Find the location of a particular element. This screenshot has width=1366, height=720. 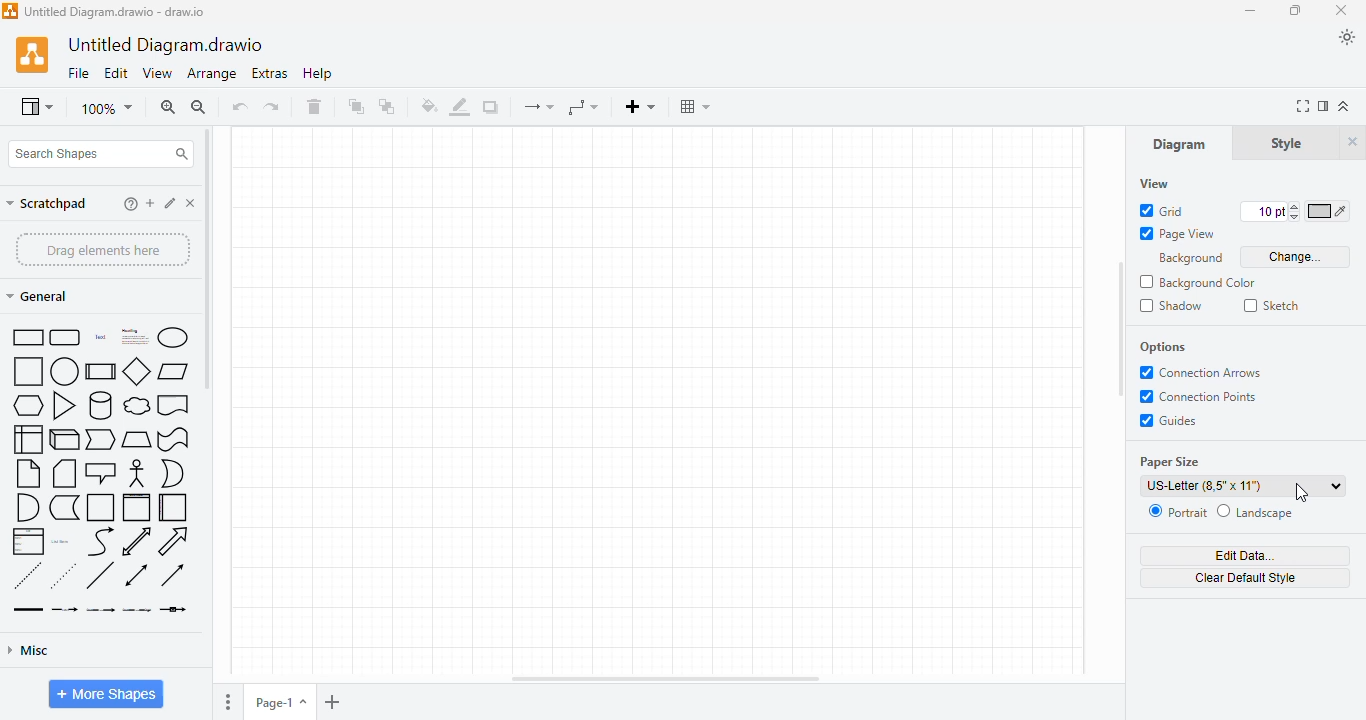

collapse/expand is located at coordinates (1345, 106).